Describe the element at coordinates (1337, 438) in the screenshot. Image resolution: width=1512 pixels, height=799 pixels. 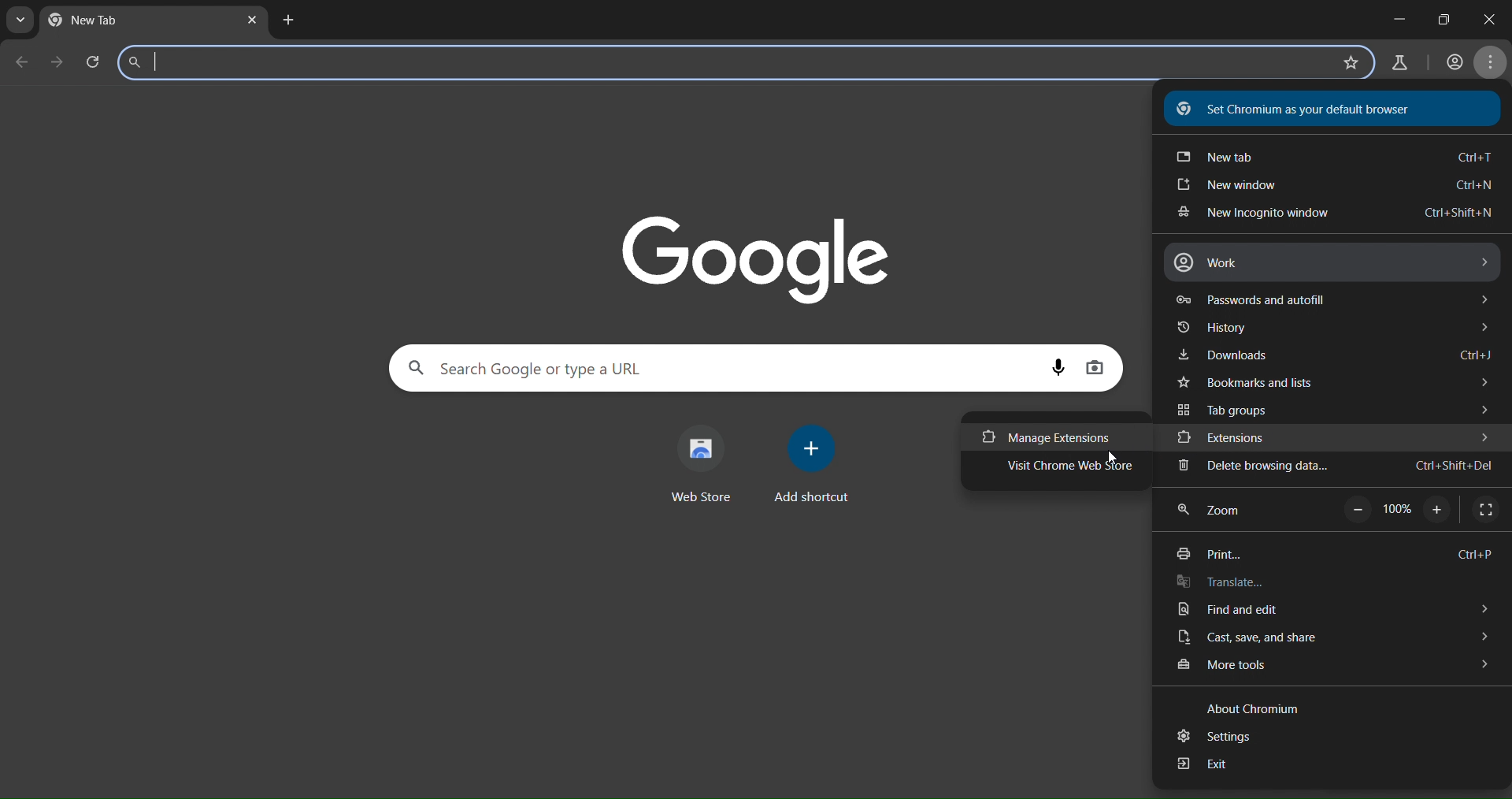
I see `extensions` at that location.